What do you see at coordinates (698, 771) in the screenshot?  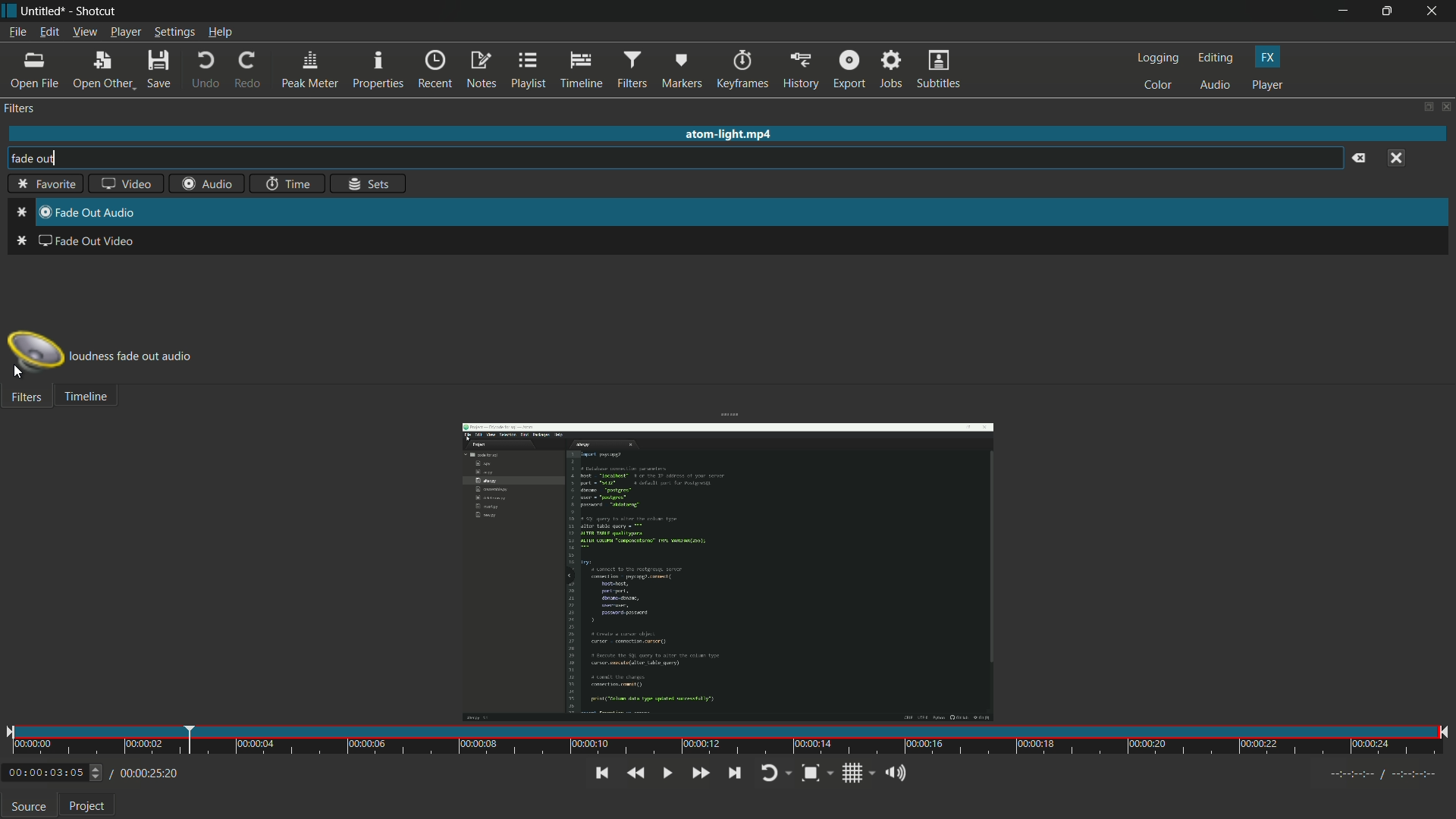 I see `quickly play forward` at bounding box center [698, 771].